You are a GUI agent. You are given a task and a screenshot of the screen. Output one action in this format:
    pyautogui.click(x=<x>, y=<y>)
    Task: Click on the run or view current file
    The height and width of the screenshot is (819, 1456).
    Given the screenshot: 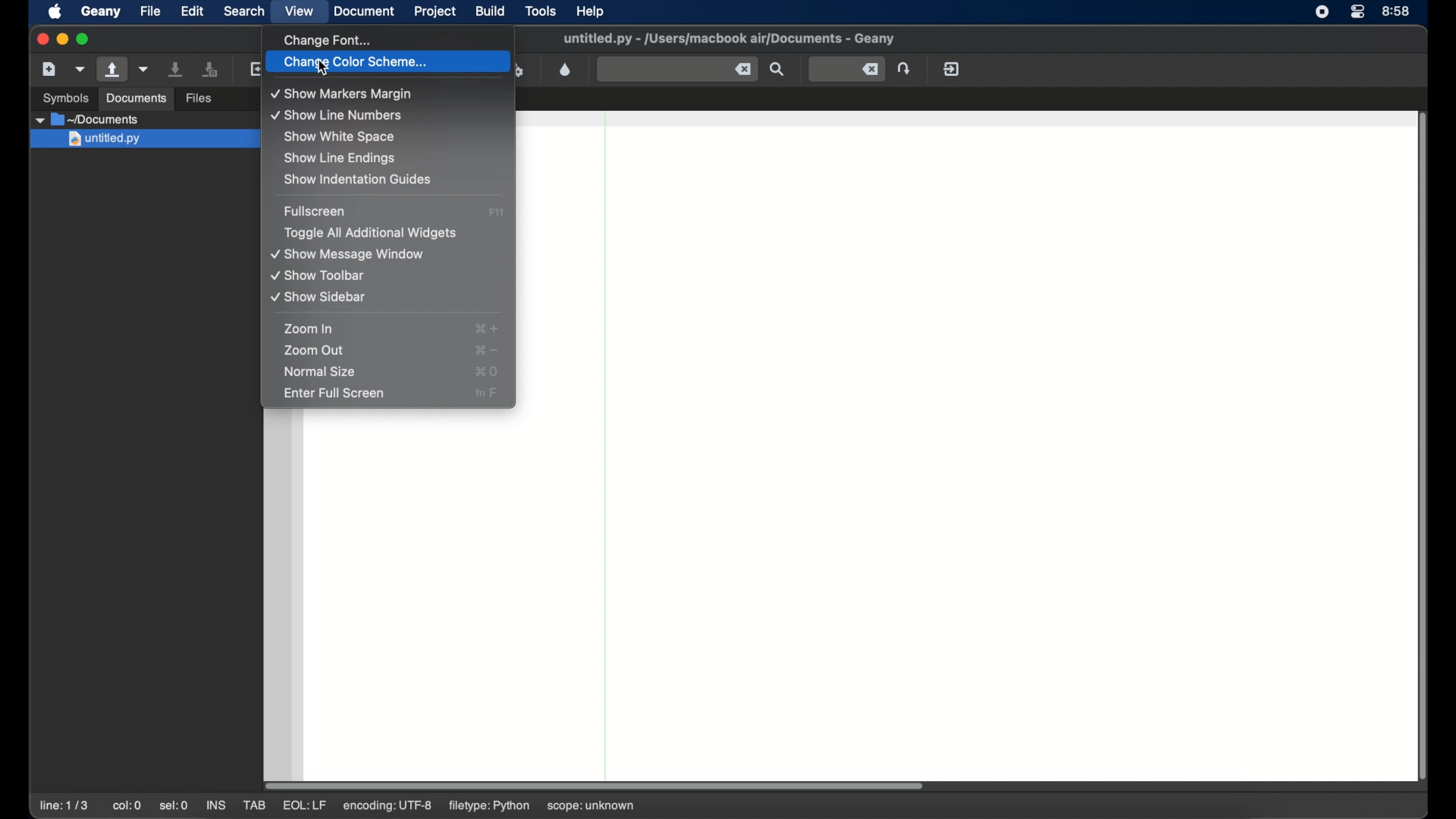 What is the action you would take?
    pyautogui.click(x=518, y=71)
    